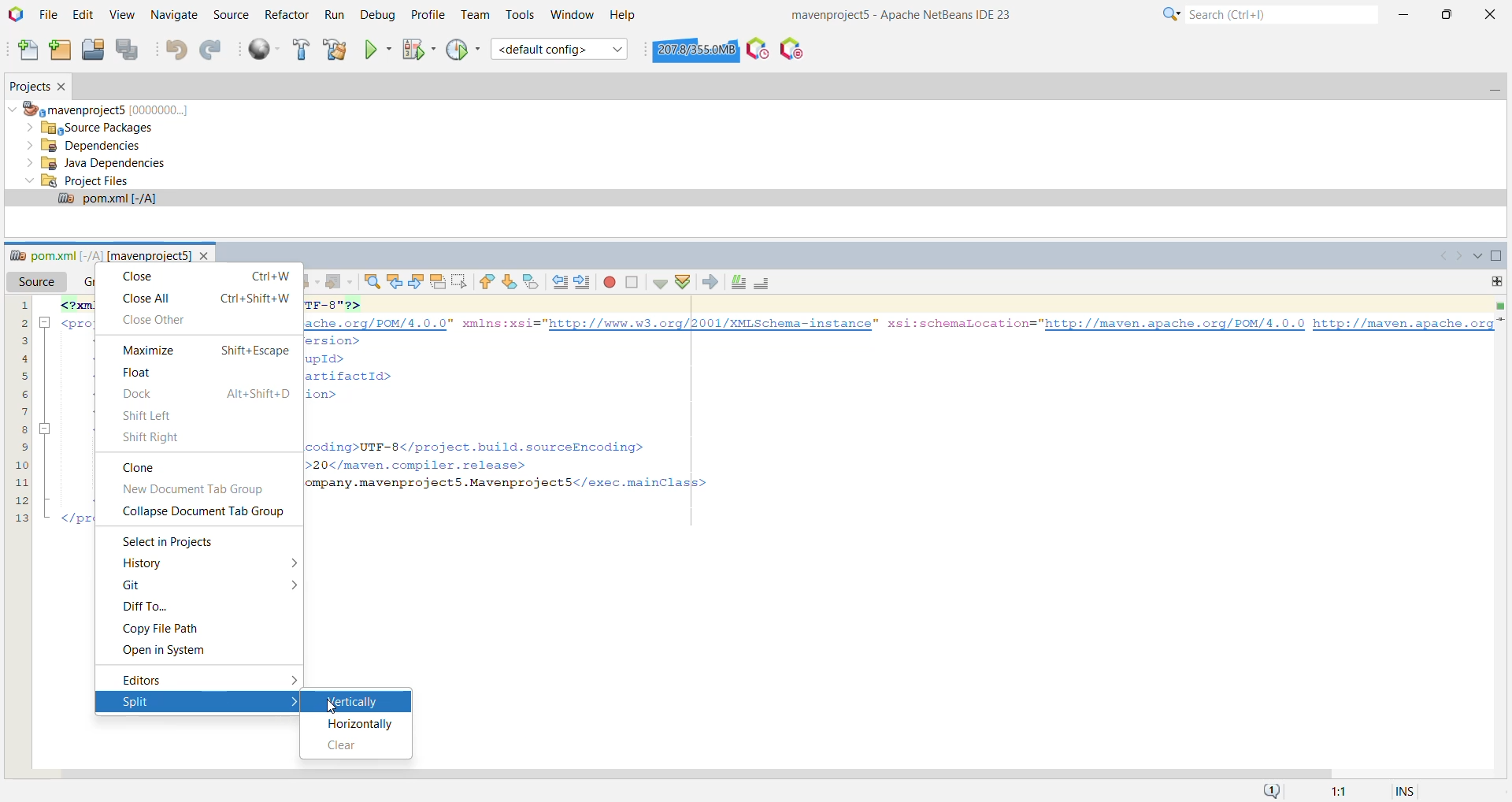 The height and width of the screenshot is (802, 1512). What do you see at coordinates (206, 253) in the screenshot?
I see `close` at bounding box center [206, 253].